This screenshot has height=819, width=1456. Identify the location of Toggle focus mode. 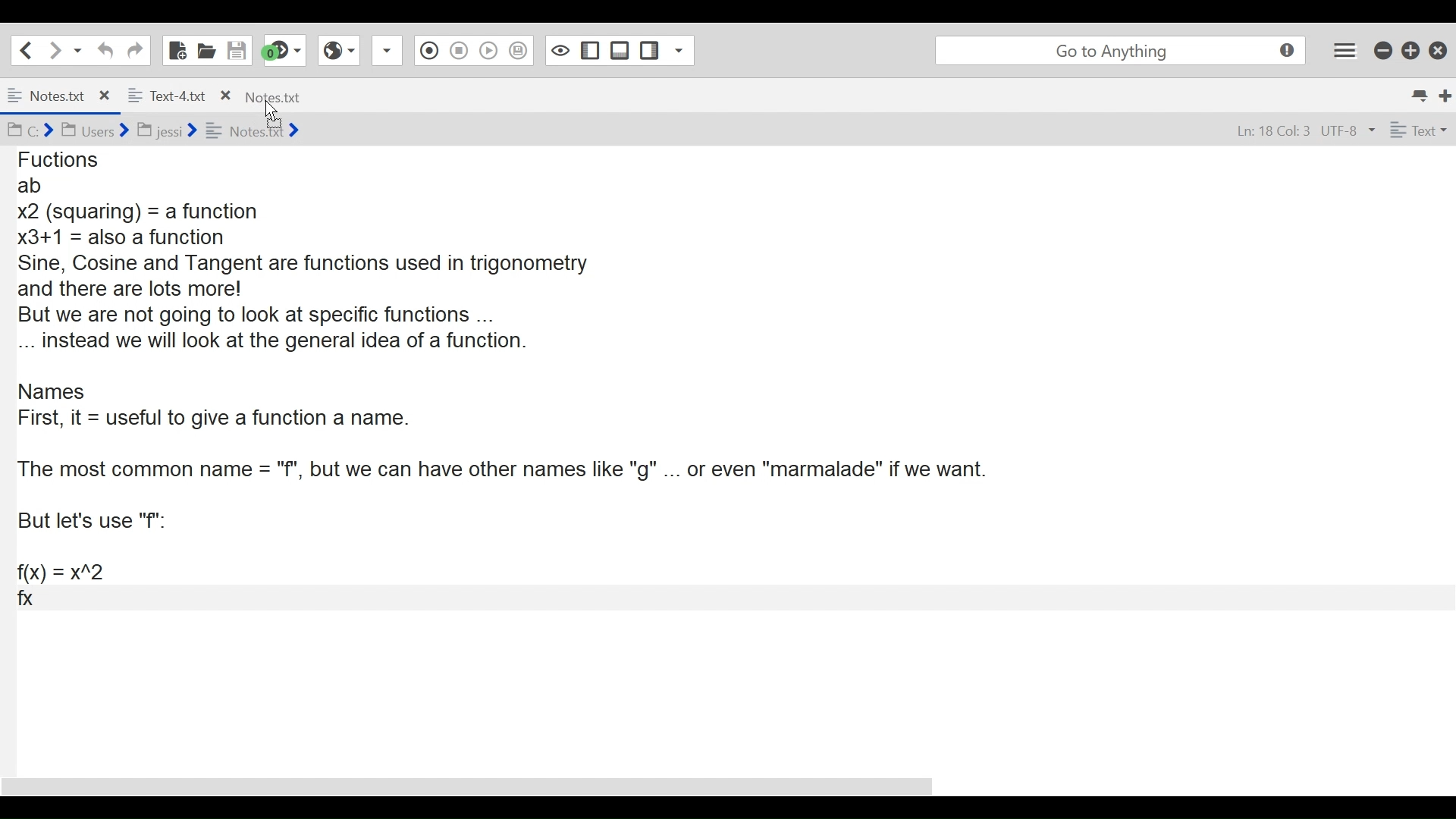
(558, 50).